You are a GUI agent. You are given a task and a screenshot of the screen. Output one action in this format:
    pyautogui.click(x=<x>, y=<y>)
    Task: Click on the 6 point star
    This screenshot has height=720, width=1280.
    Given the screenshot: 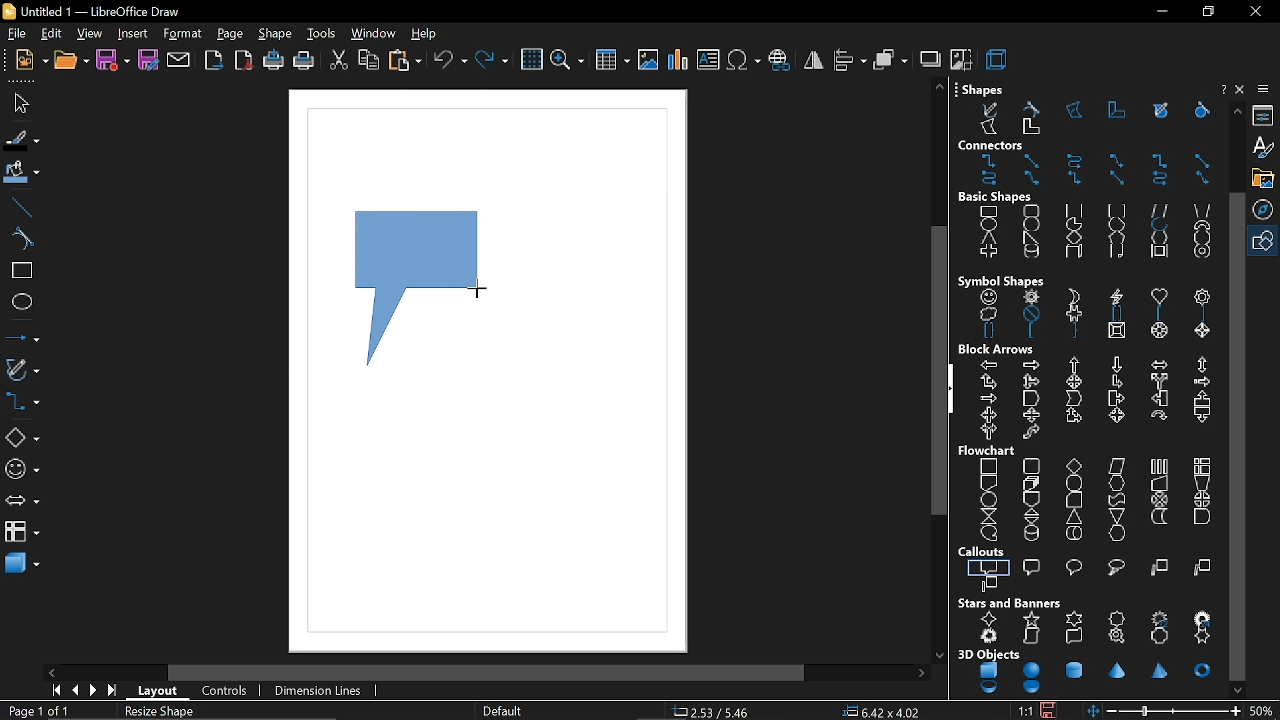 What is the action you would take?
    pyautogui.click(x=1073, y=619)
    